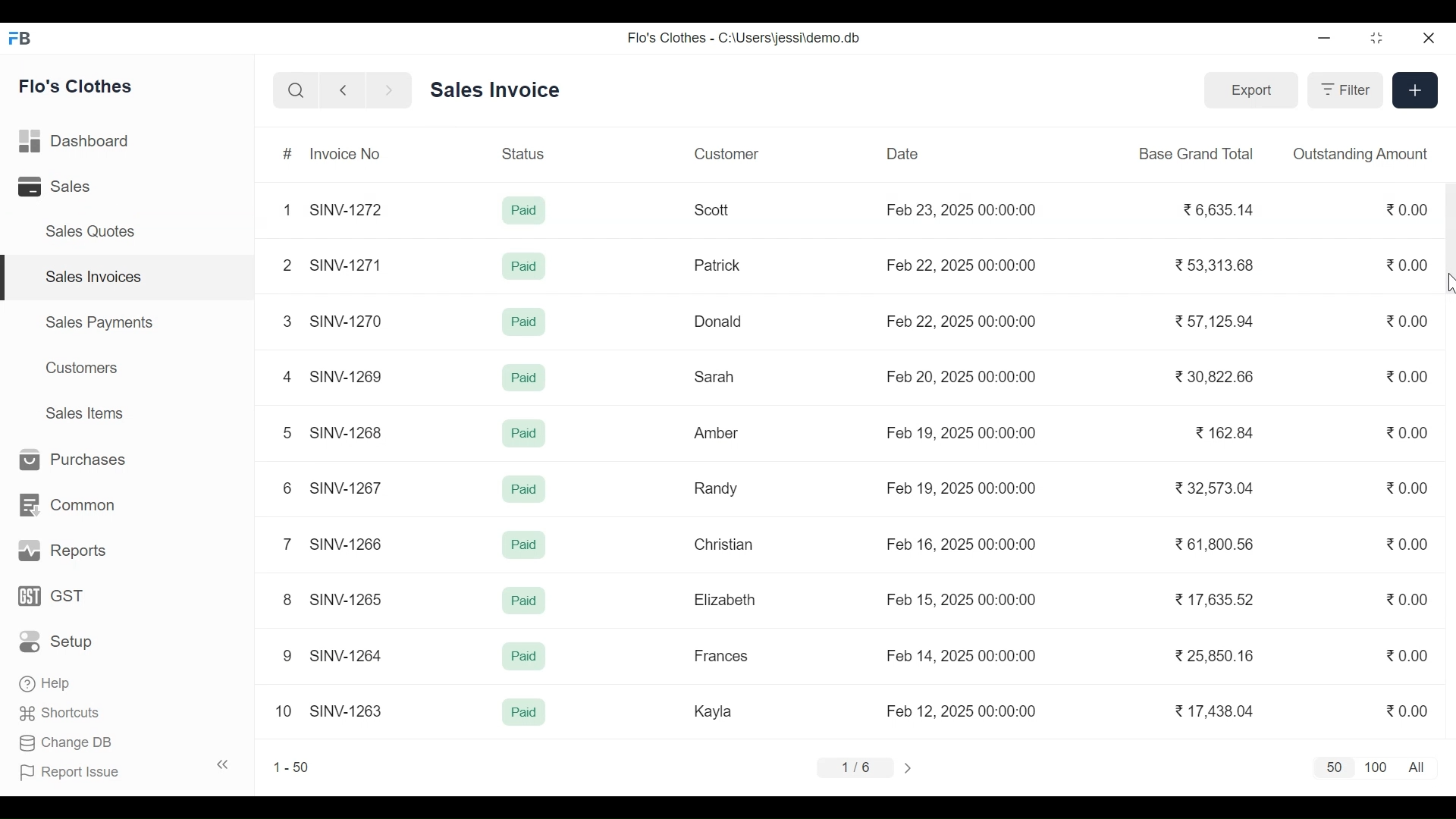 This screenshot has height=819, width=1456. I want to click on Shortcuts, so click(61, 716).